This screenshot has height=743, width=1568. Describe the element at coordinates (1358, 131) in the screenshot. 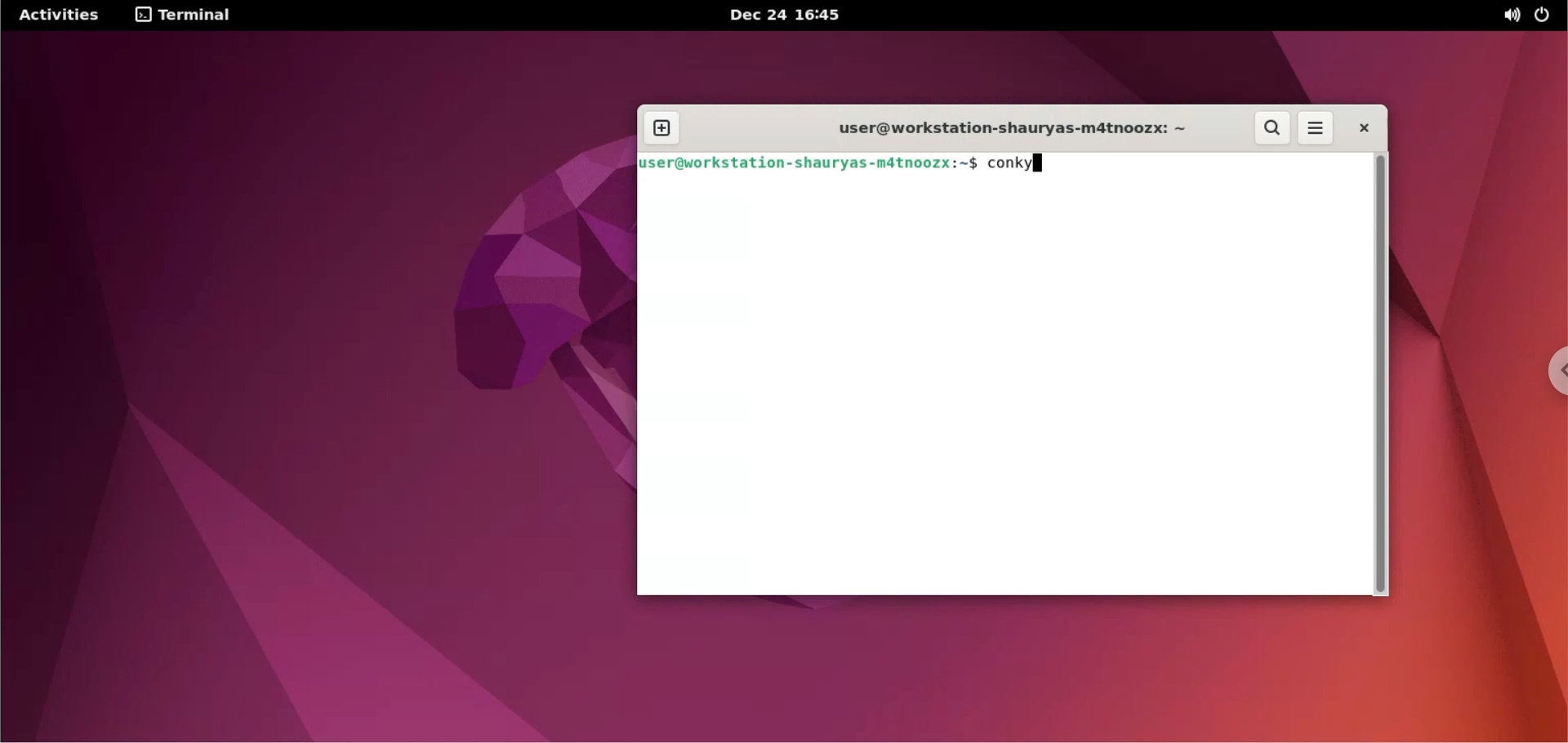

I see `close terminal` at that location.